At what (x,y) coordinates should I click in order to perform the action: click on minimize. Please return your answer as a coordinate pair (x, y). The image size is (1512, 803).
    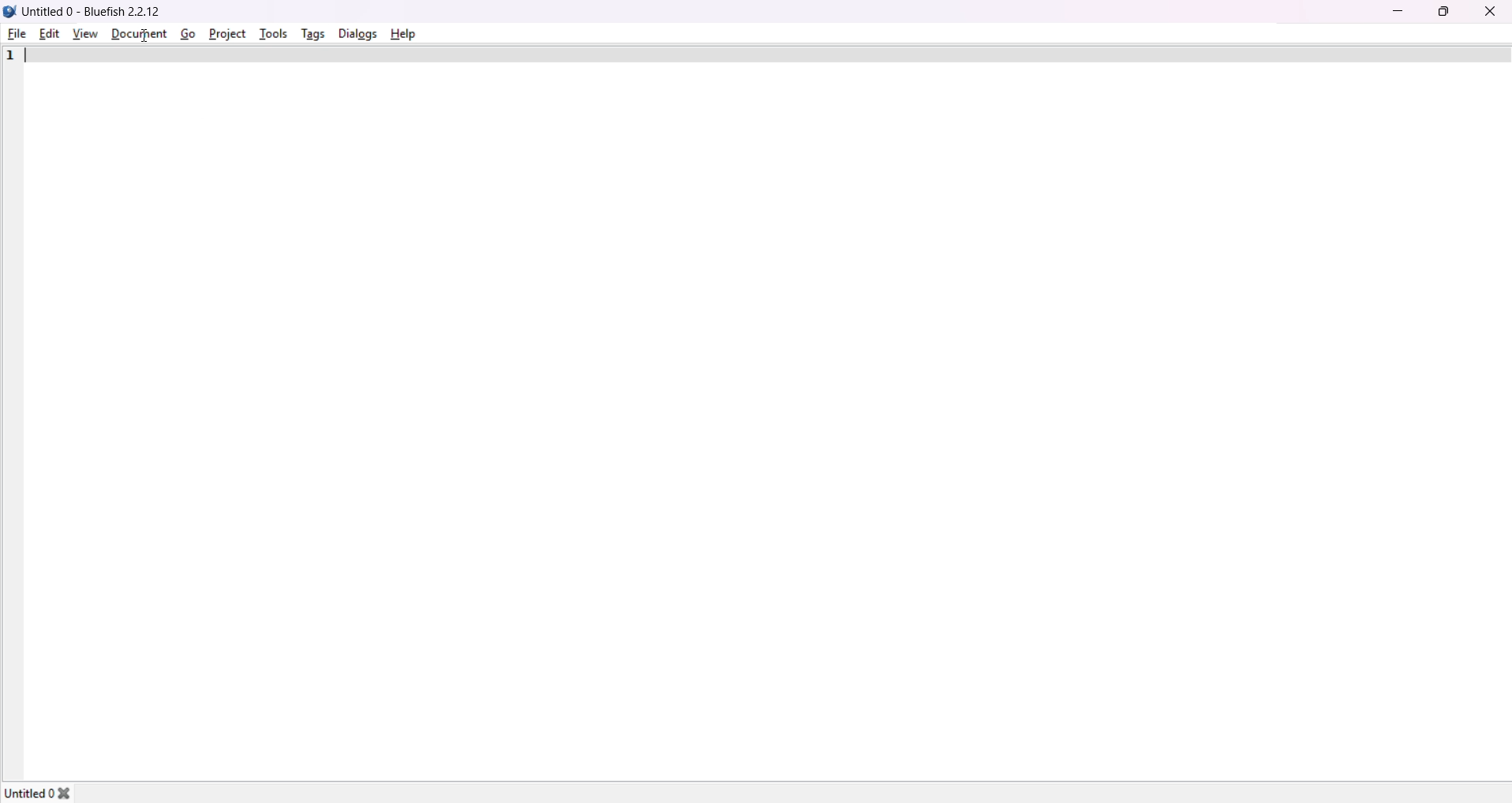
    Looking at the image, I should click on (1397, 10).